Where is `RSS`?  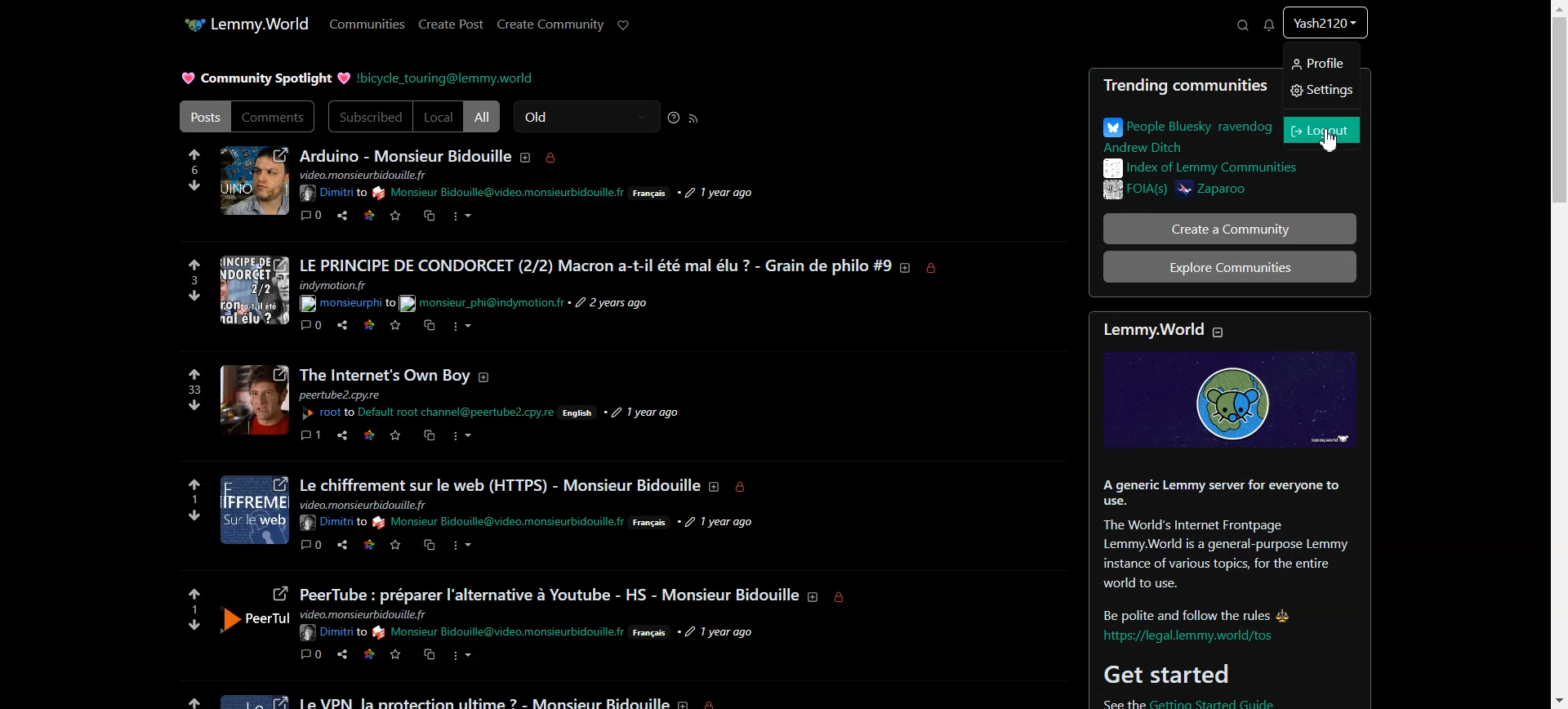
RSS is located at coordinates (694, 118).